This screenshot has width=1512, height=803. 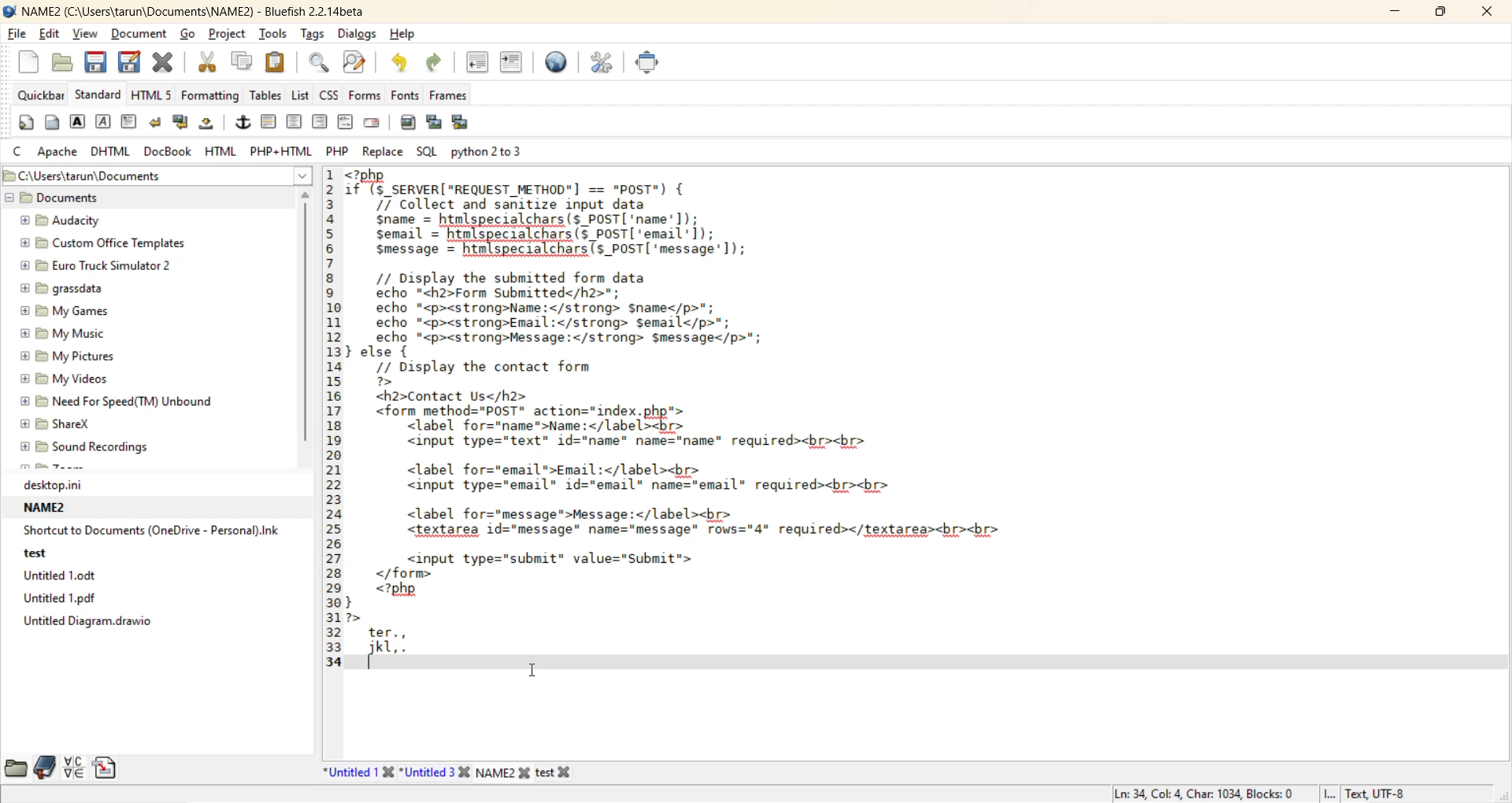 What do you see at coordinates (46, 768) in the screenshot?
I see `bookmarks` at bounding box center [46, 768].